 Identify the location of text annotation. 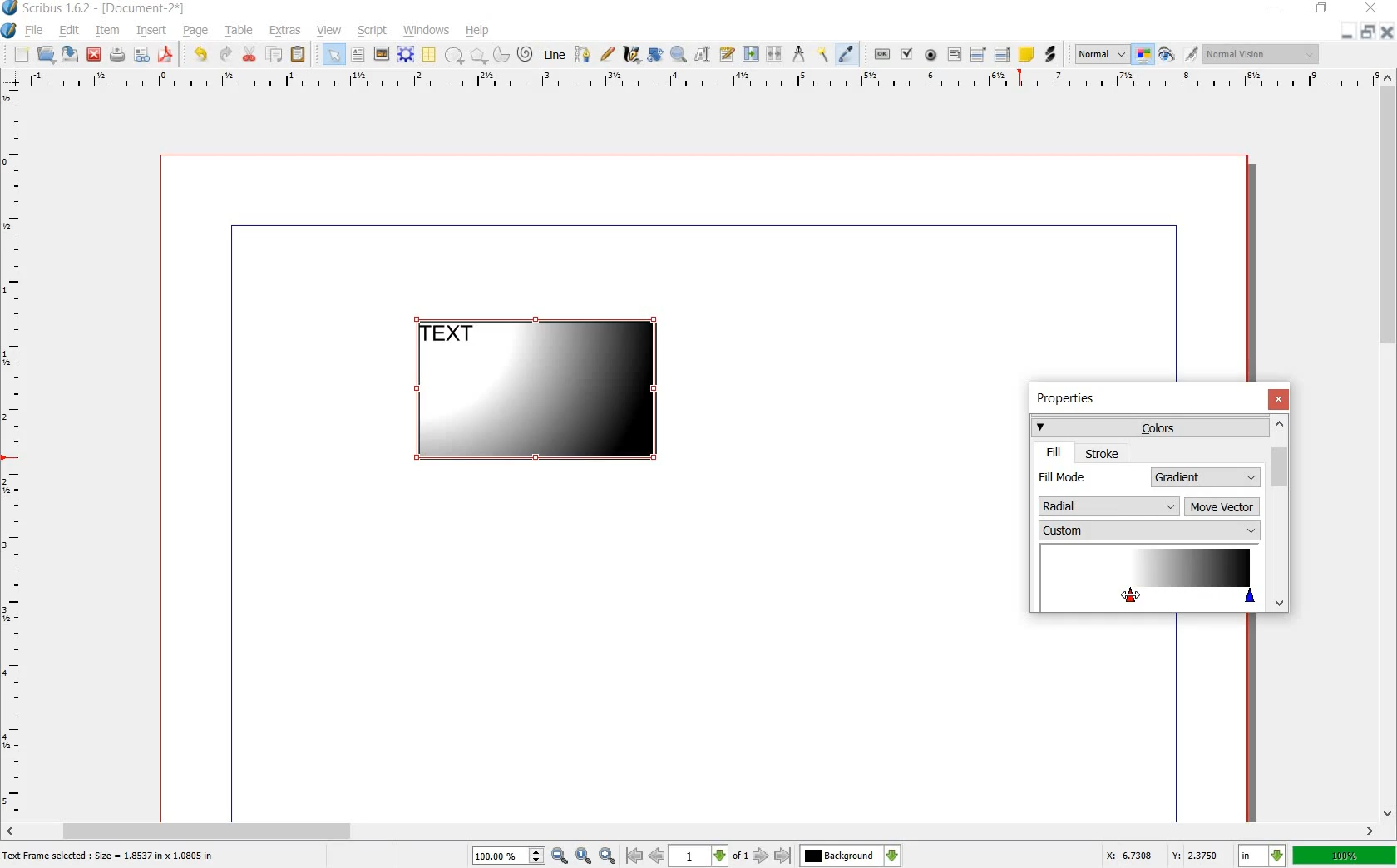
(1026, 54).